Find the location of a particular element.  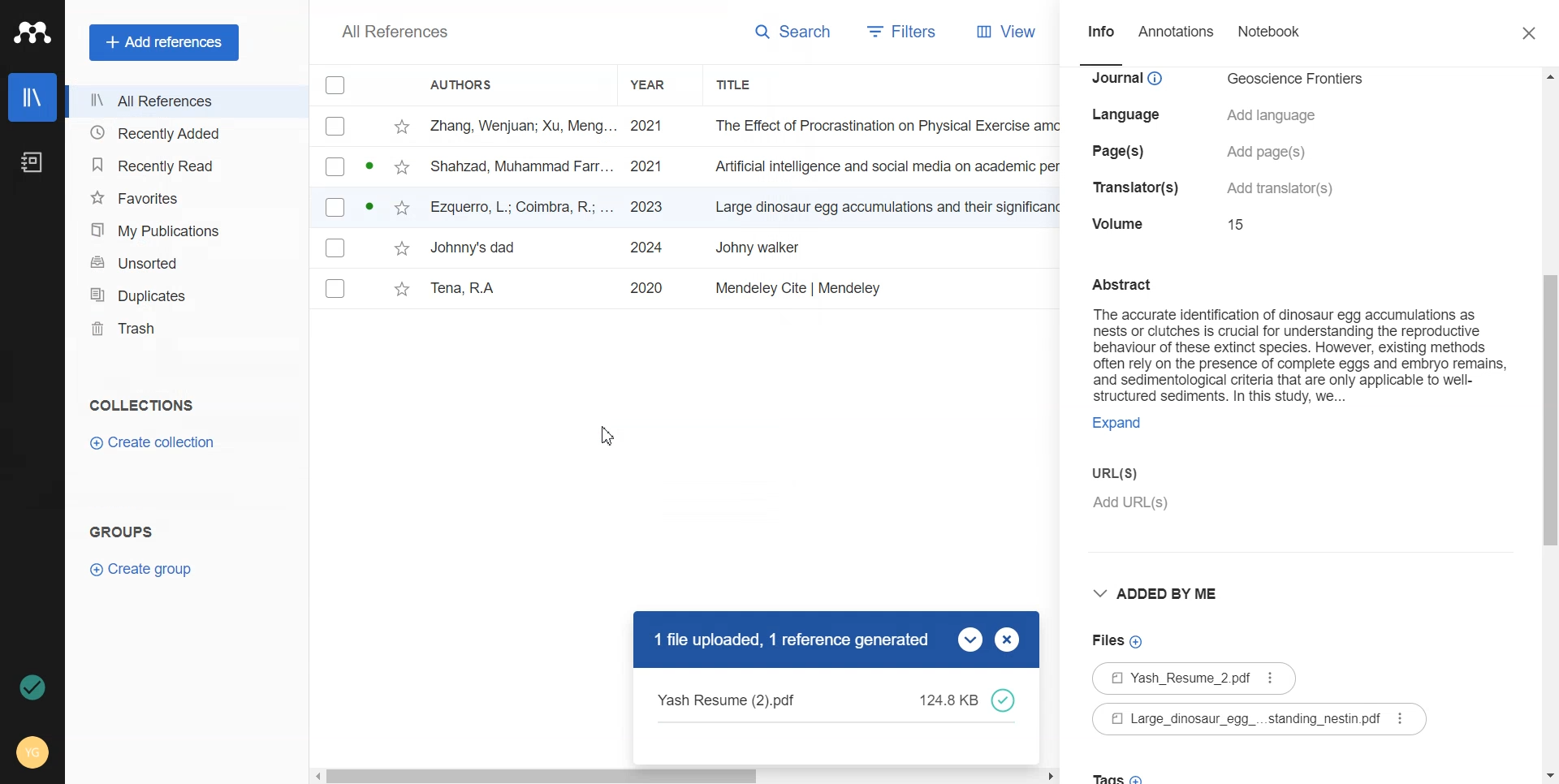

Search  is located at coordinates (792, 31).